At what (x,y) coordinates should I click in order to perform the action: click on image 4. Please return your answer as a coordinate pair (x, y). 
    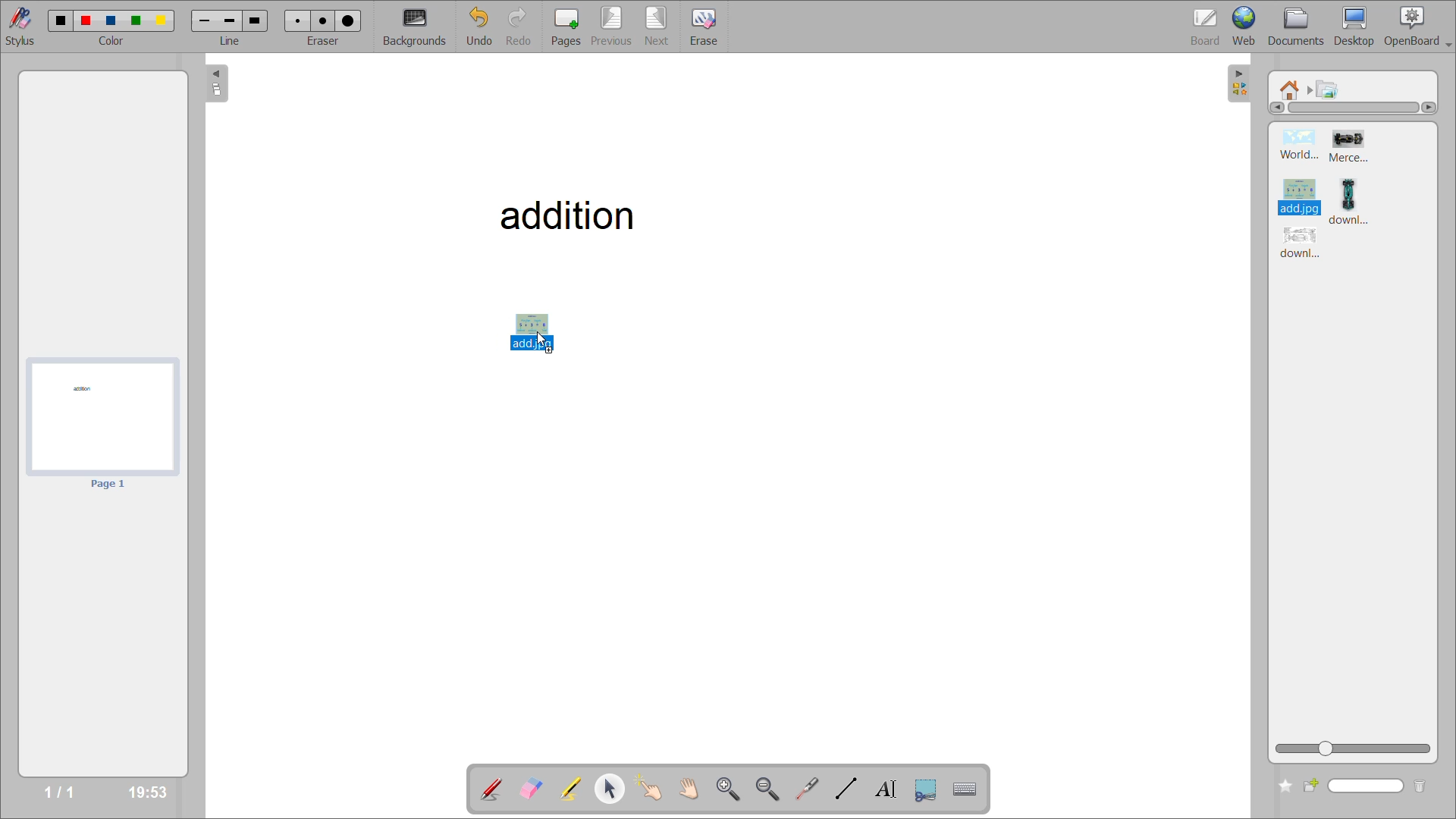
    Looking at the image, I should click on (1359, 200).